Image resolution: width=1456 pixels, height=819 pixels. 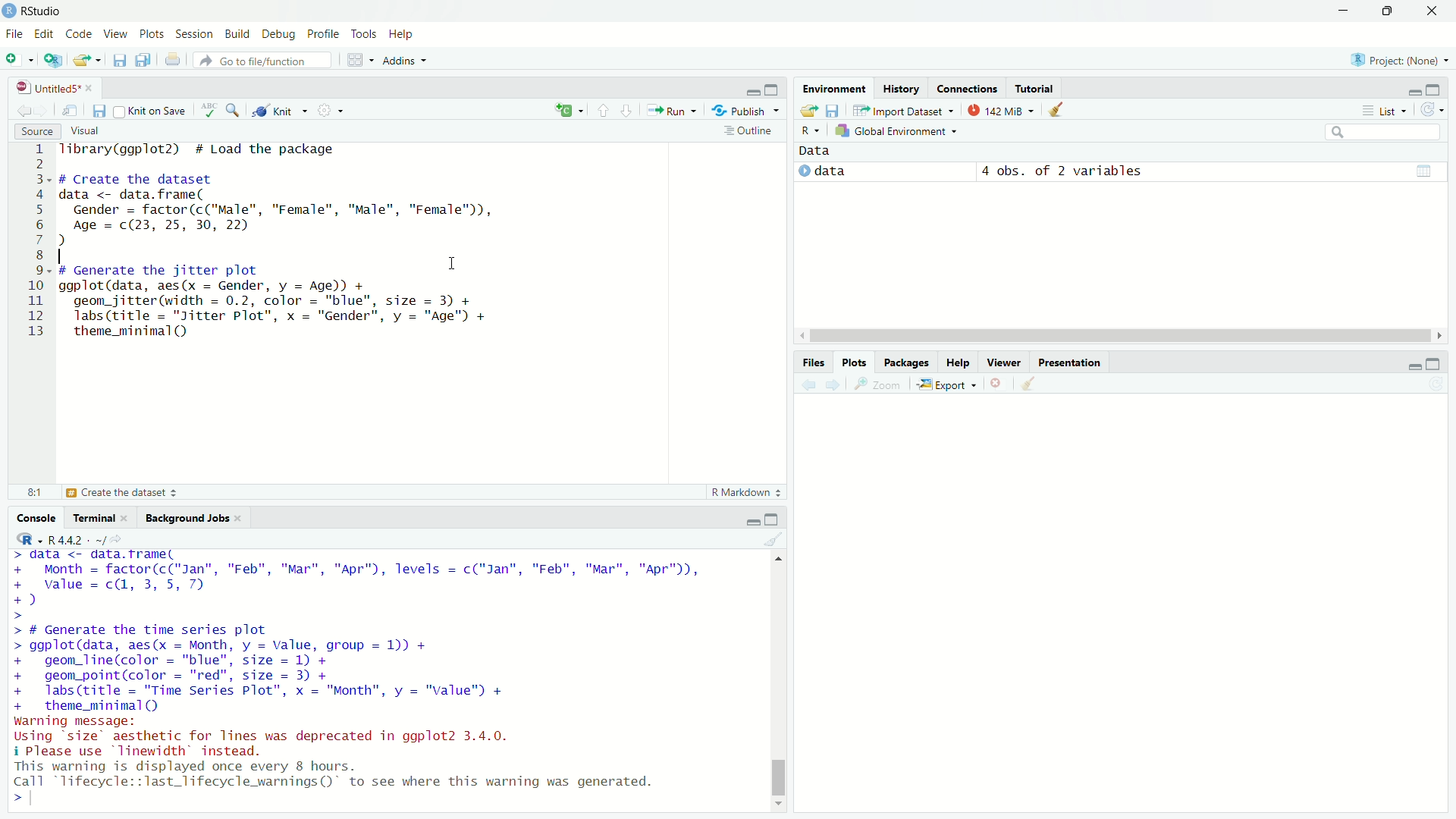 What do you see at coordinates (45, 108) in the screenshot?
I see `go forward to next source location` at bounding box center [45, 108].